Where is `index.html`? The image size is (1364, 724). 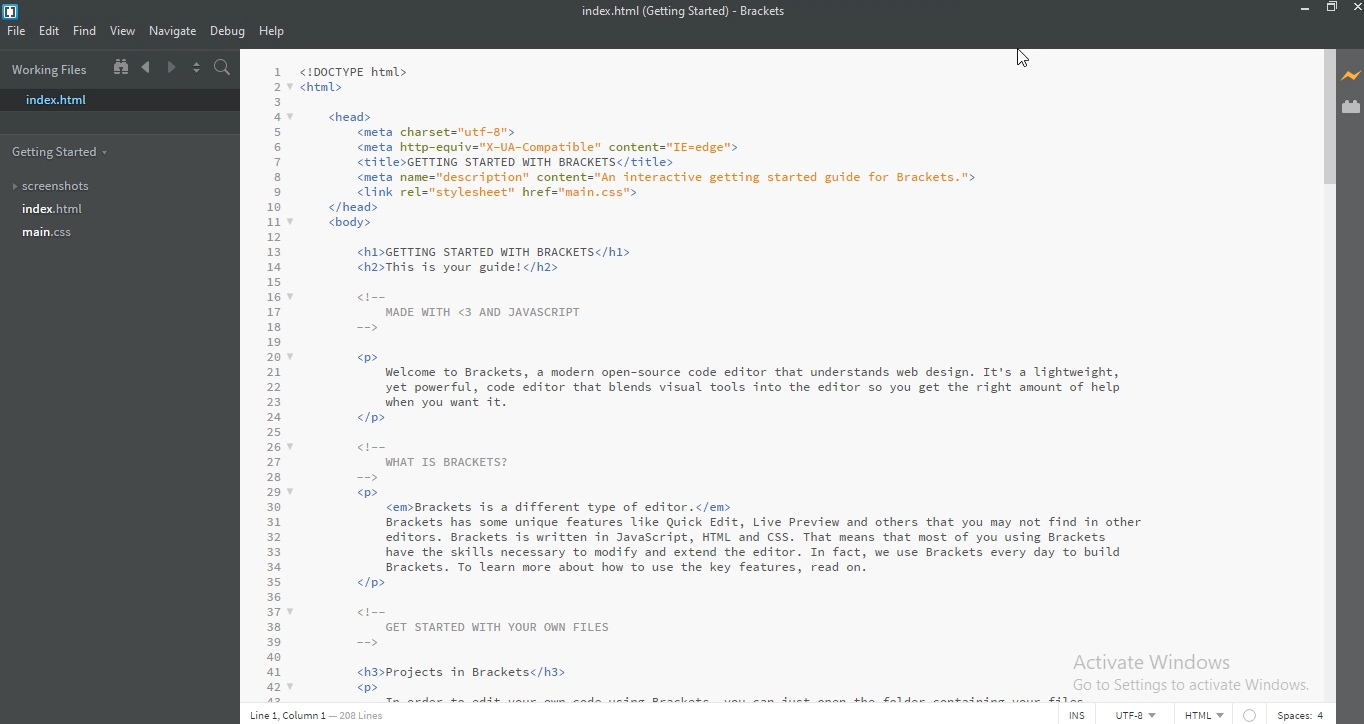 index.html is located at coordinates (60, 100).